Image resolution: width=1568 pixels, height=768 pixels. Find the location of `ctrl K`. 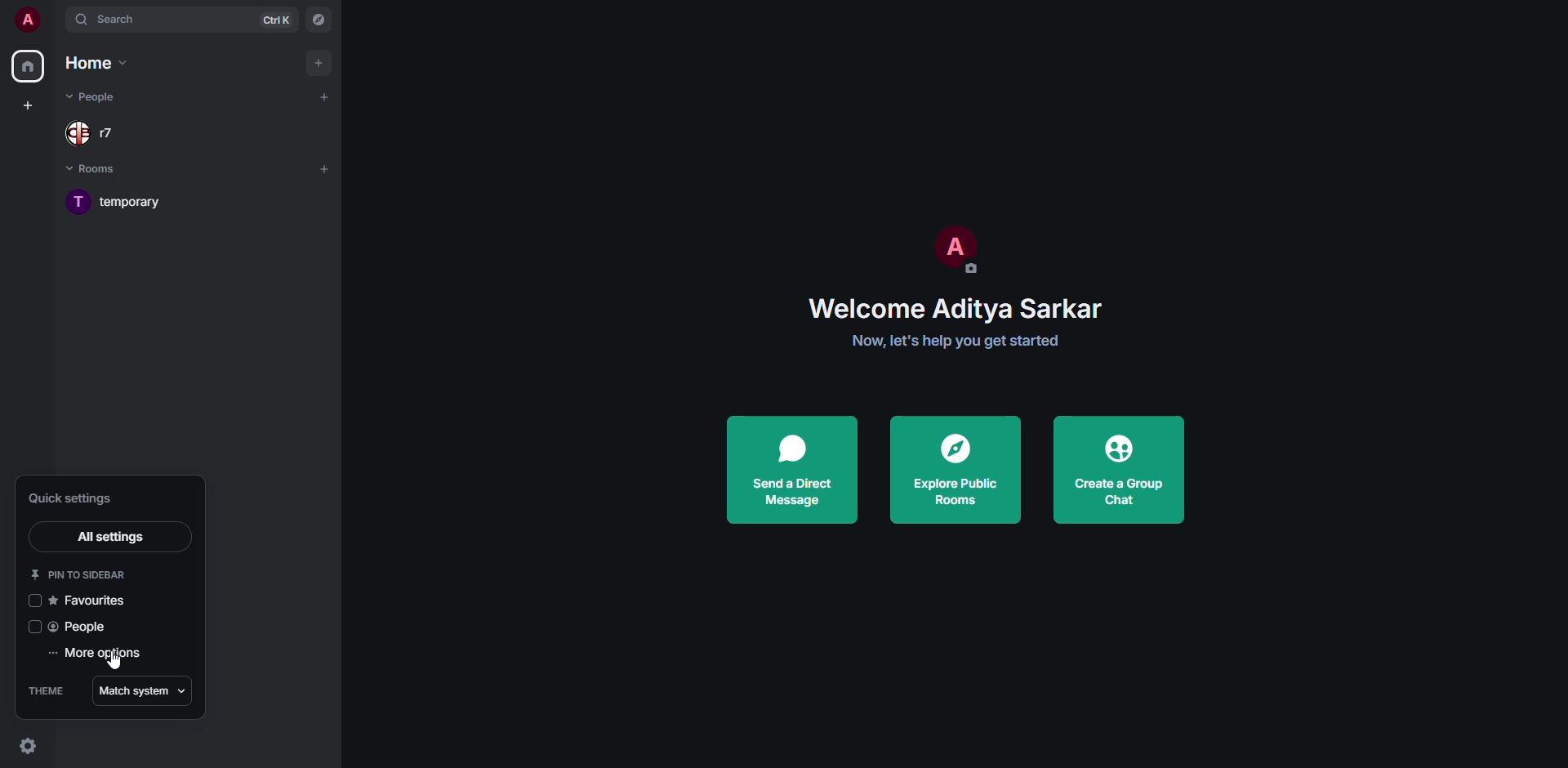

ctrl K is located at coordinates (277, 20).